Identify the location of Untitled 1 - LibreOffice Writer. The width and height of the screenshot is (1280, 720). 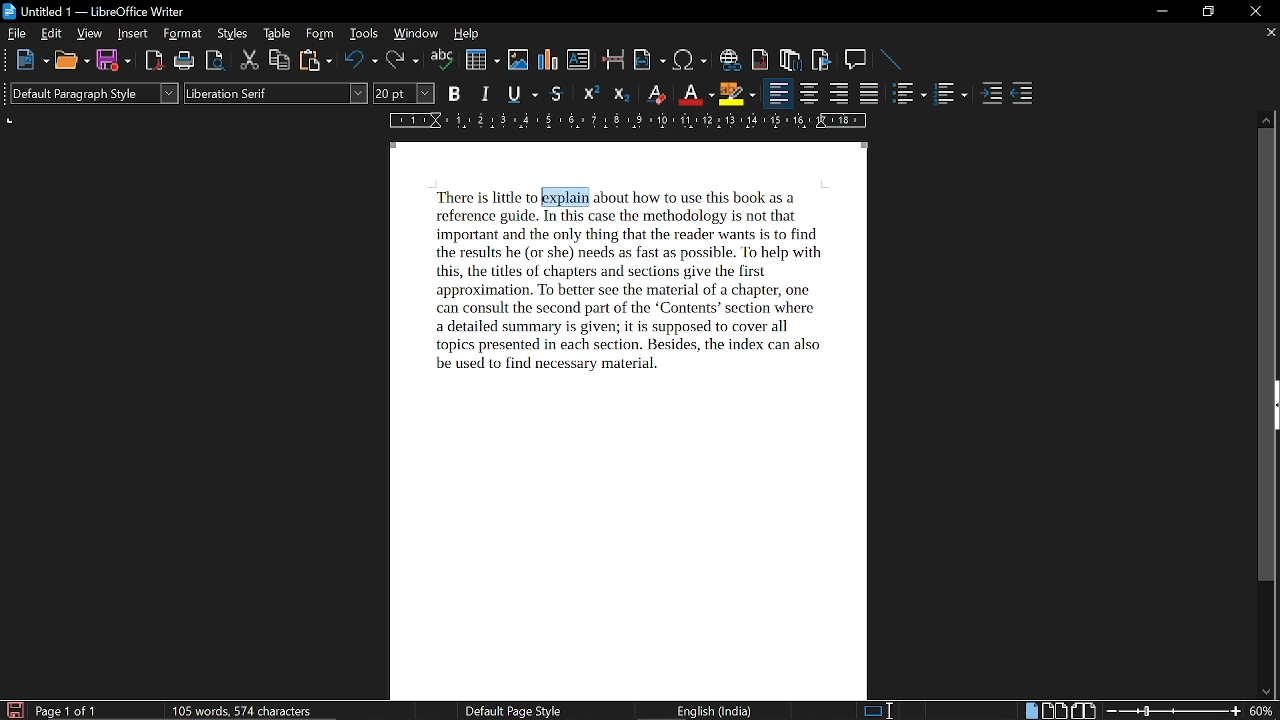
(105, 11).